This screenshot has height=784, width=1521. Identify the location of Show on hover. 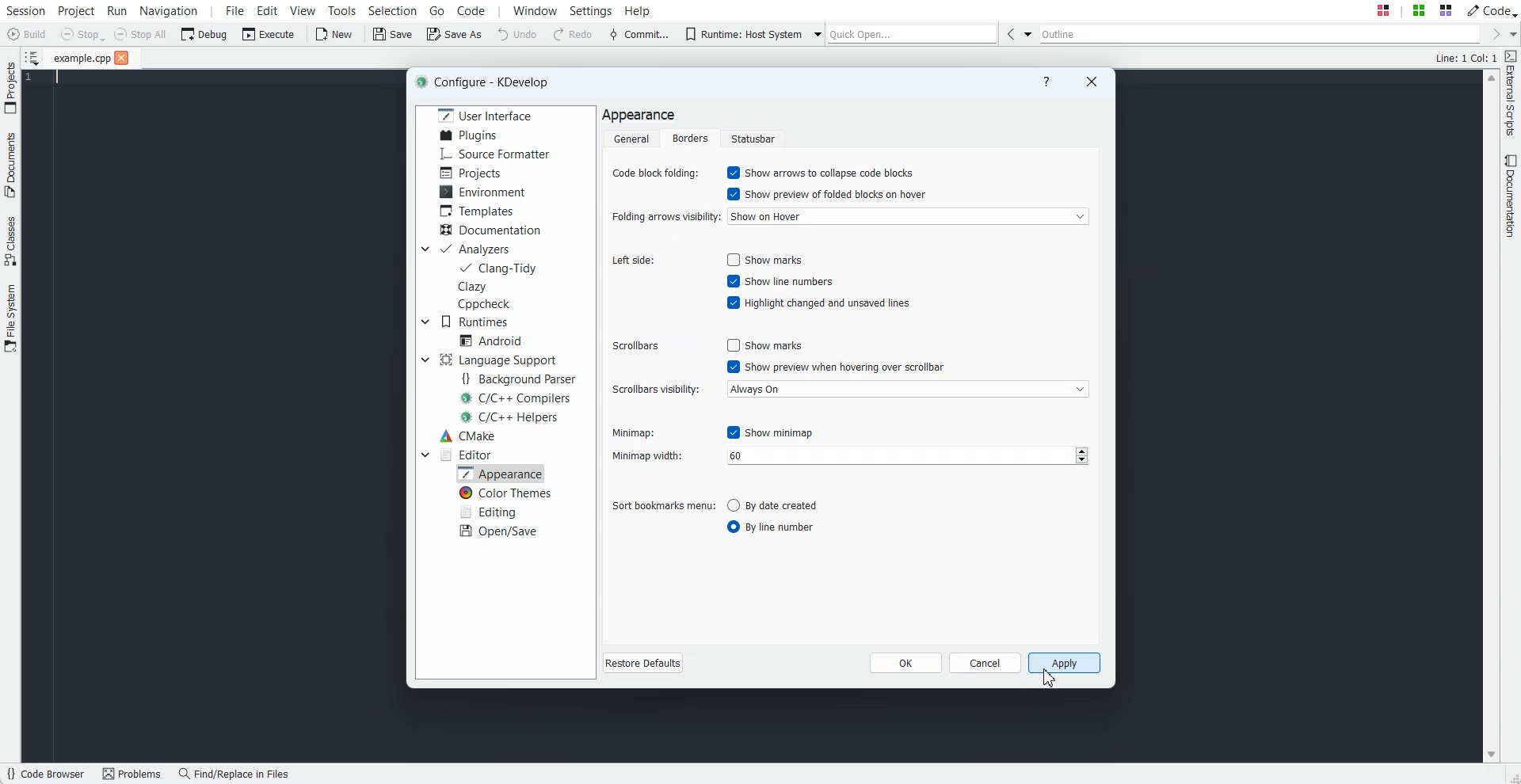
(907, 216).